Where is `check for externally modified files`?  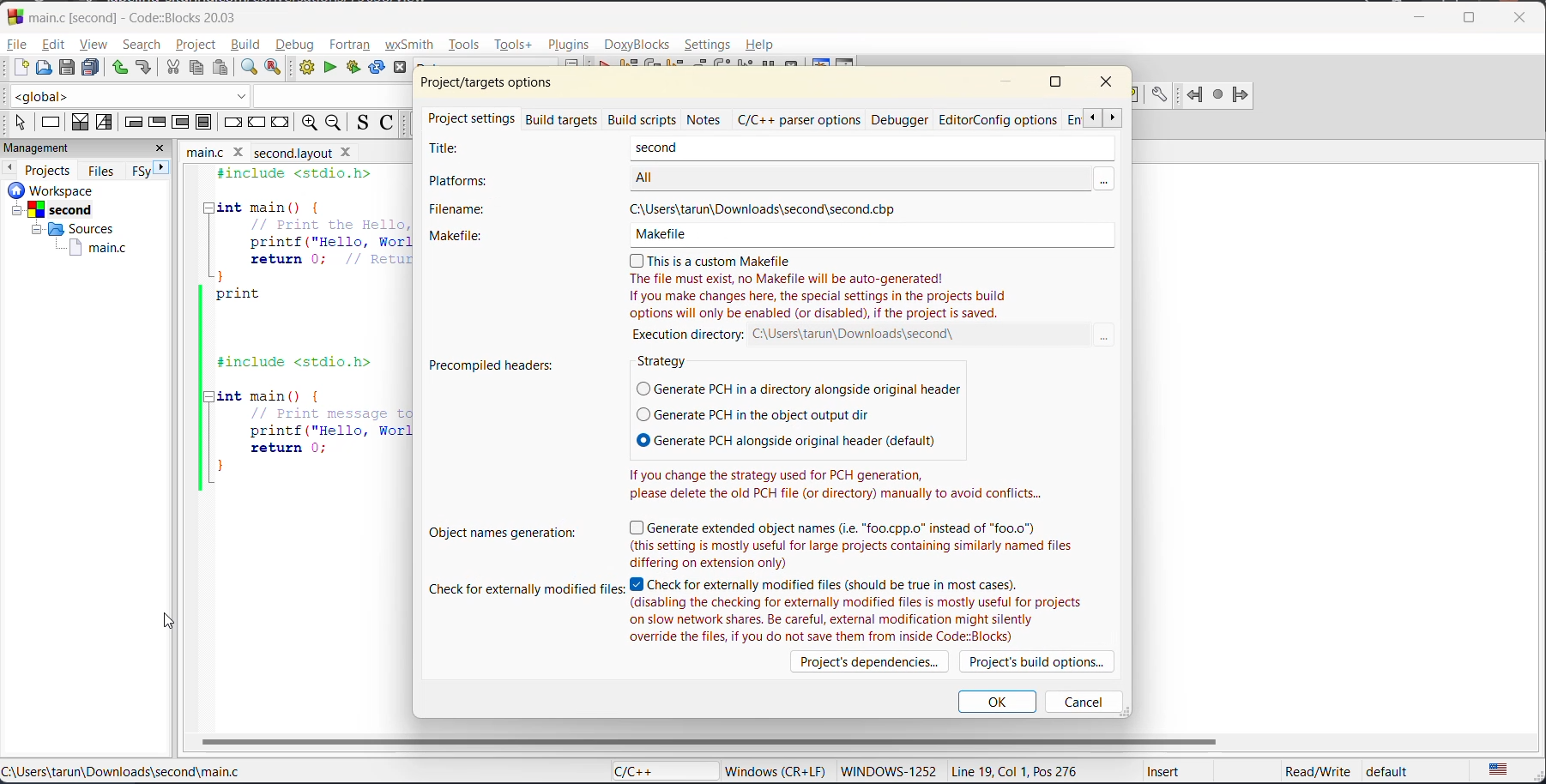 check for externally modified files is located at coordinates (522, 590).